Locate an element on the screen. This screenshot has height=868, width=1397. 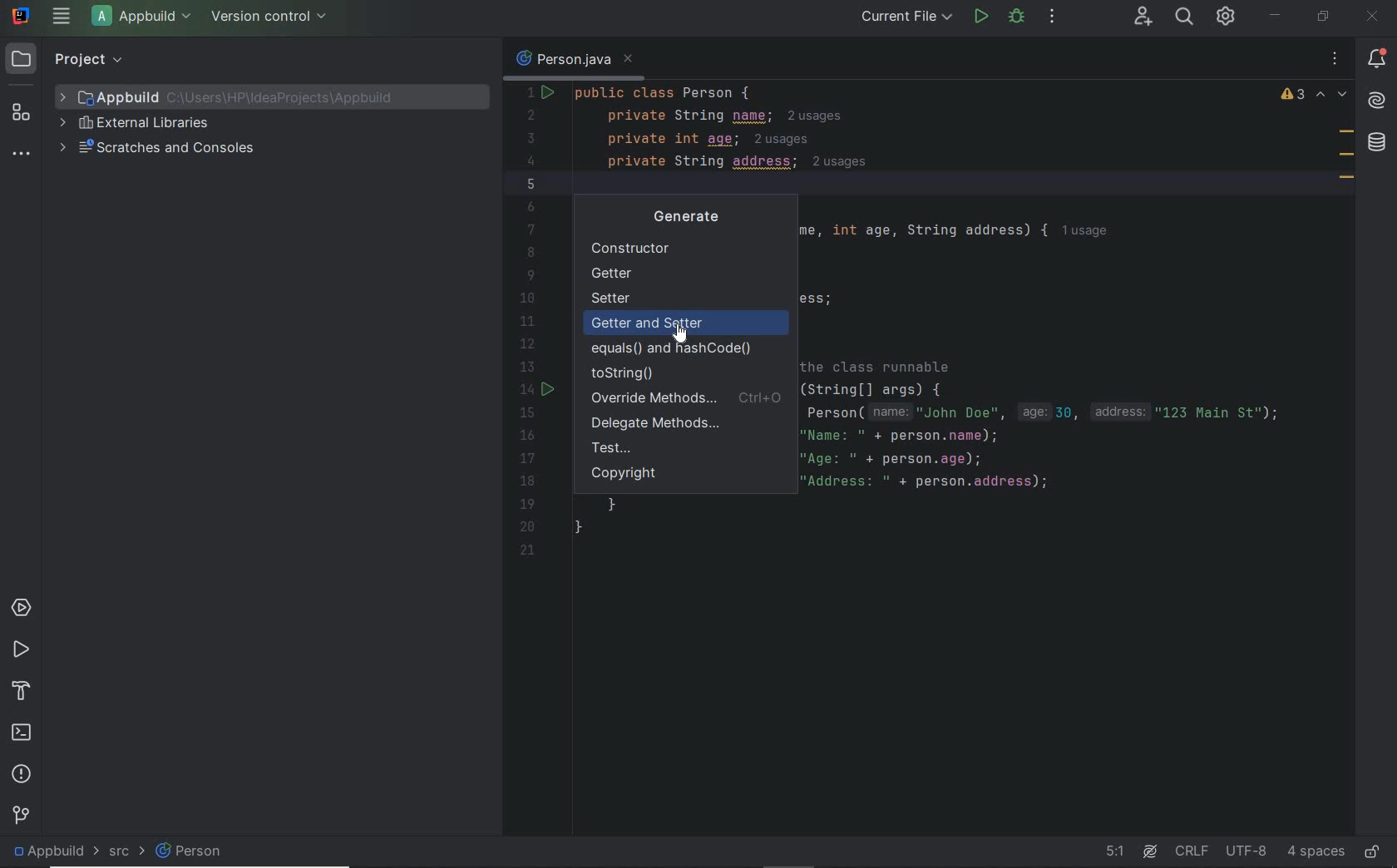
debug is located at coordinates (1015, 17).